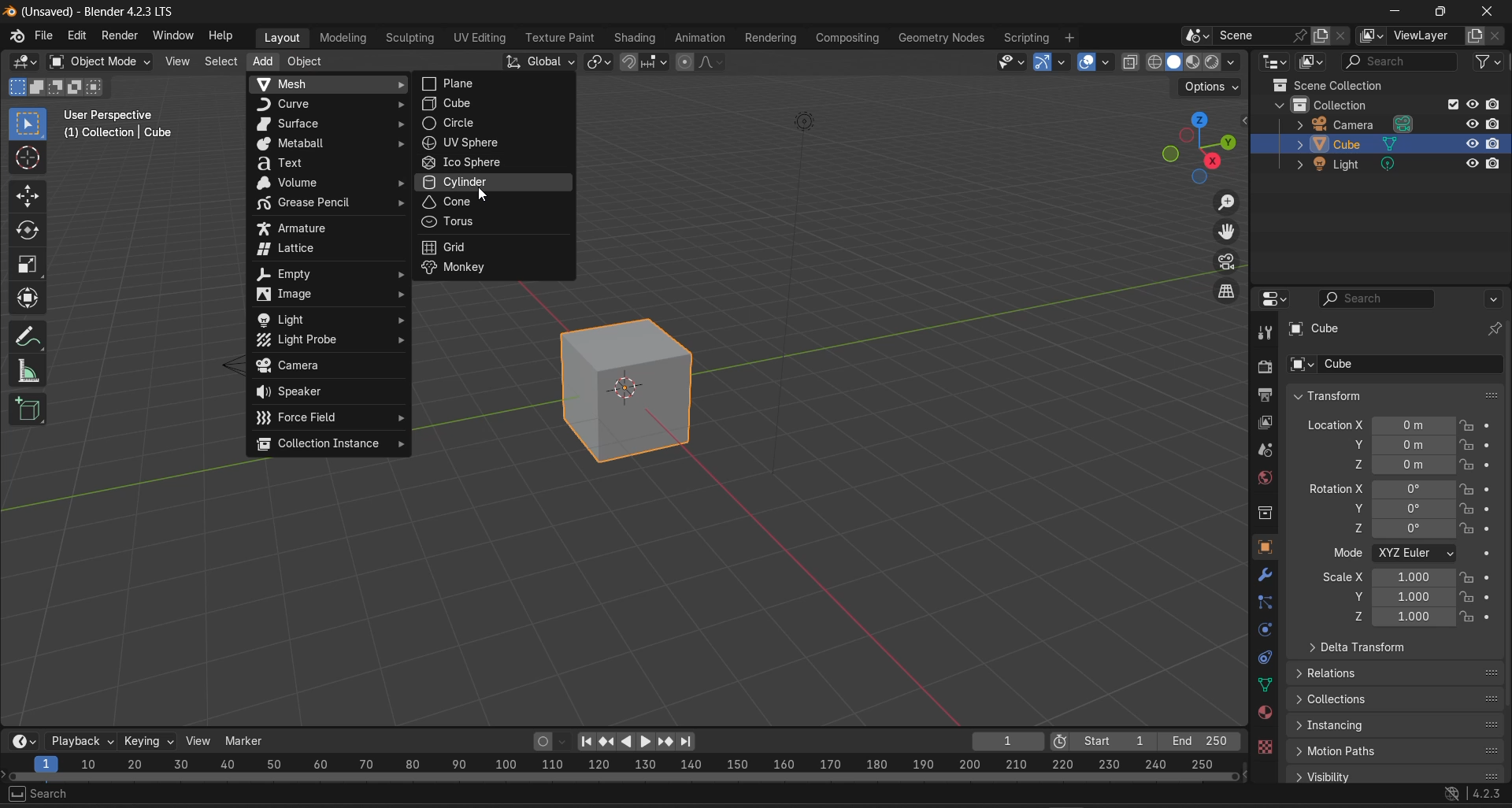 This screenshot has width=1512, height=808. I want to click on jump to keyframe, so click(606, 741).